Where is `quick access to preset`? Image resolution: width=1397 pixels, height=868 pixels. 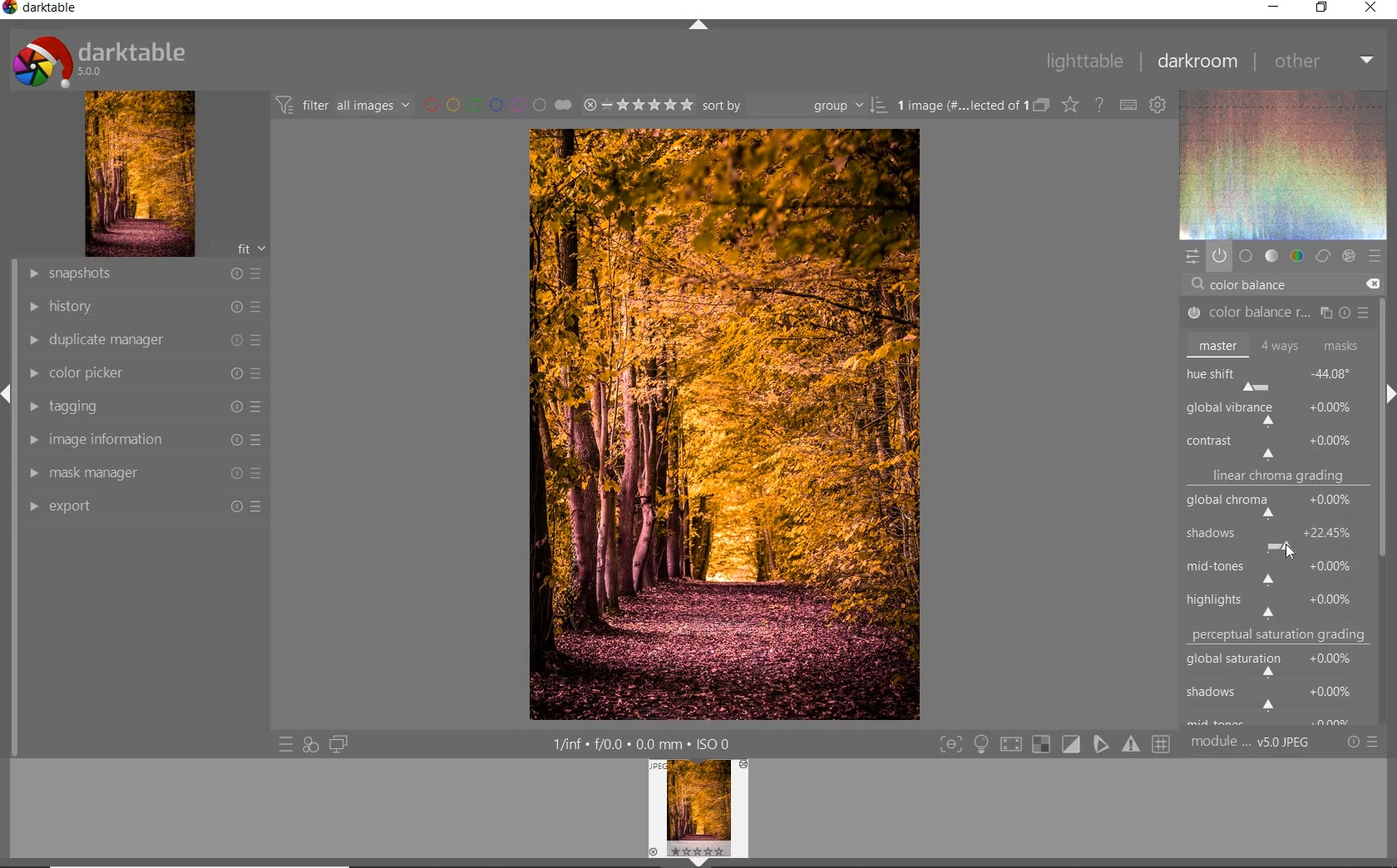
quick access to preset is located at coordinates (285, 742).